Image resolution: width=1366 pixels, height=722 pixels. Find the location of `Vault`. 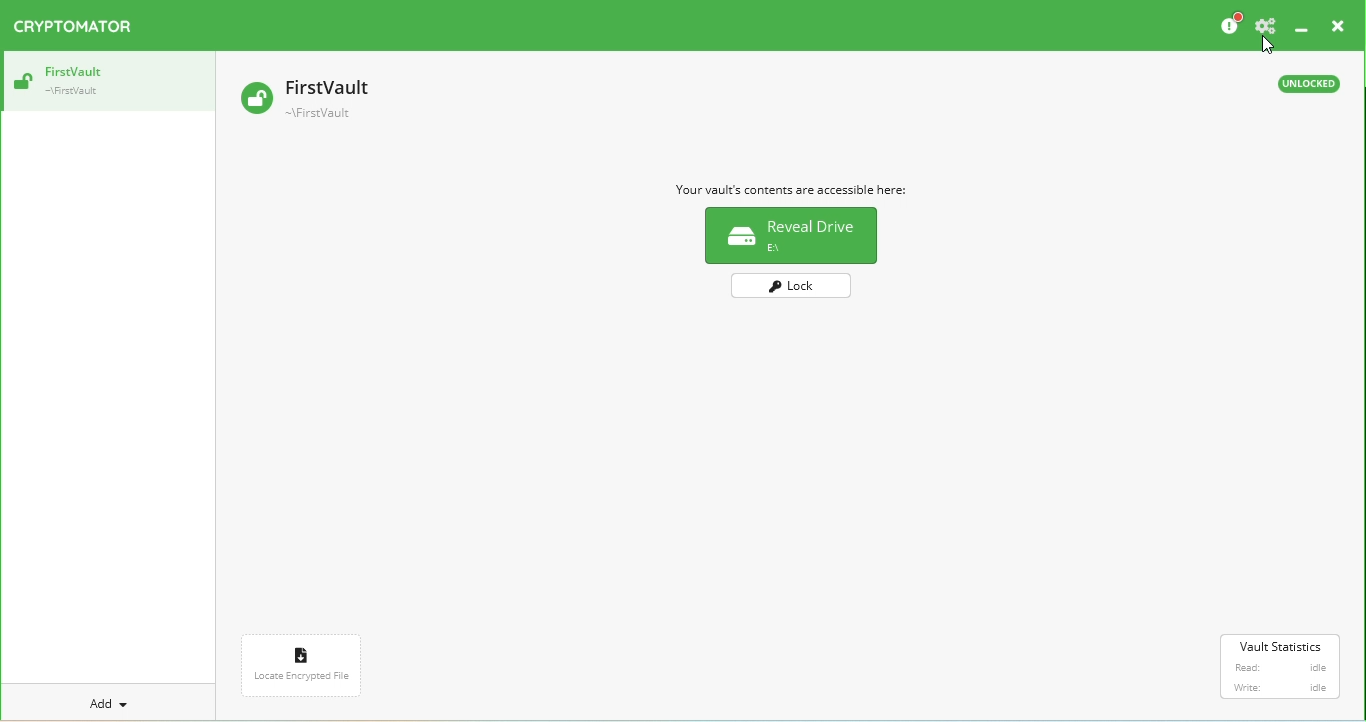

Vault is located at coordinates (319, 103).